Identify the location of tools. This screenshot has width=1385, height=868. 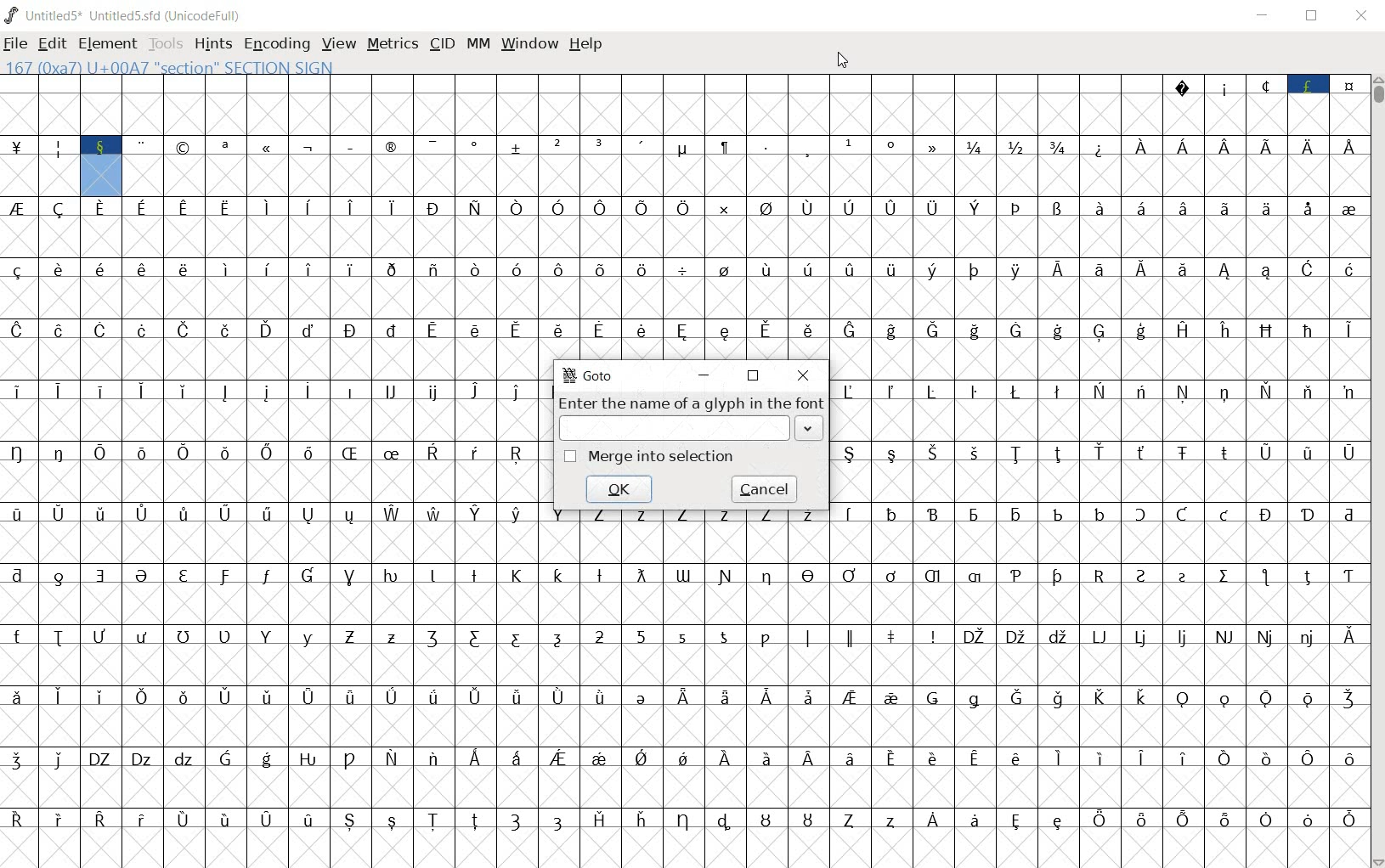
(164, 42).